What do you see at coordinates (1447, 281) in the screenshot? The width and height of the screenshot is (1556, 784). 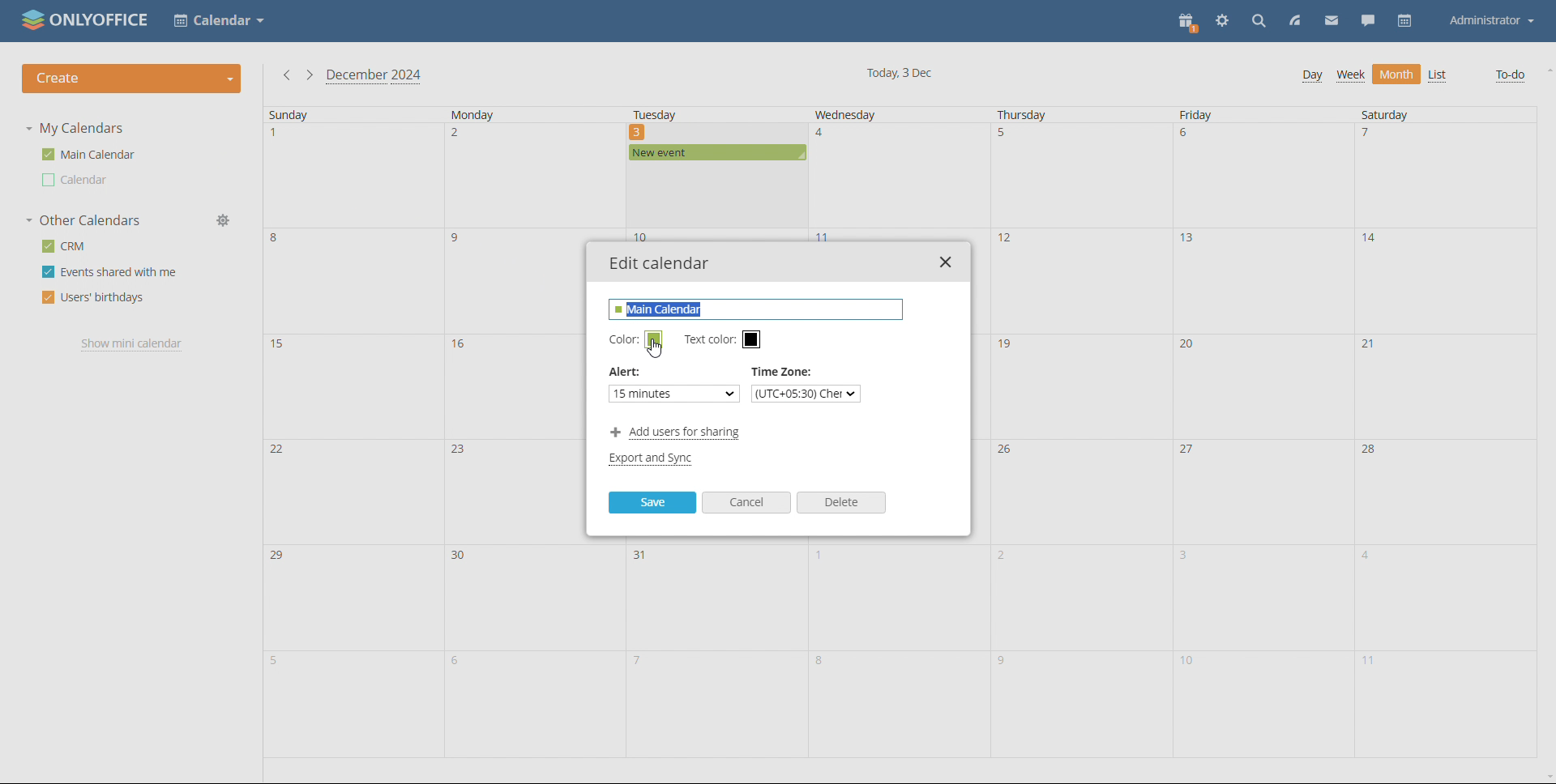 I see `date` at bounding box center [1447, 281].